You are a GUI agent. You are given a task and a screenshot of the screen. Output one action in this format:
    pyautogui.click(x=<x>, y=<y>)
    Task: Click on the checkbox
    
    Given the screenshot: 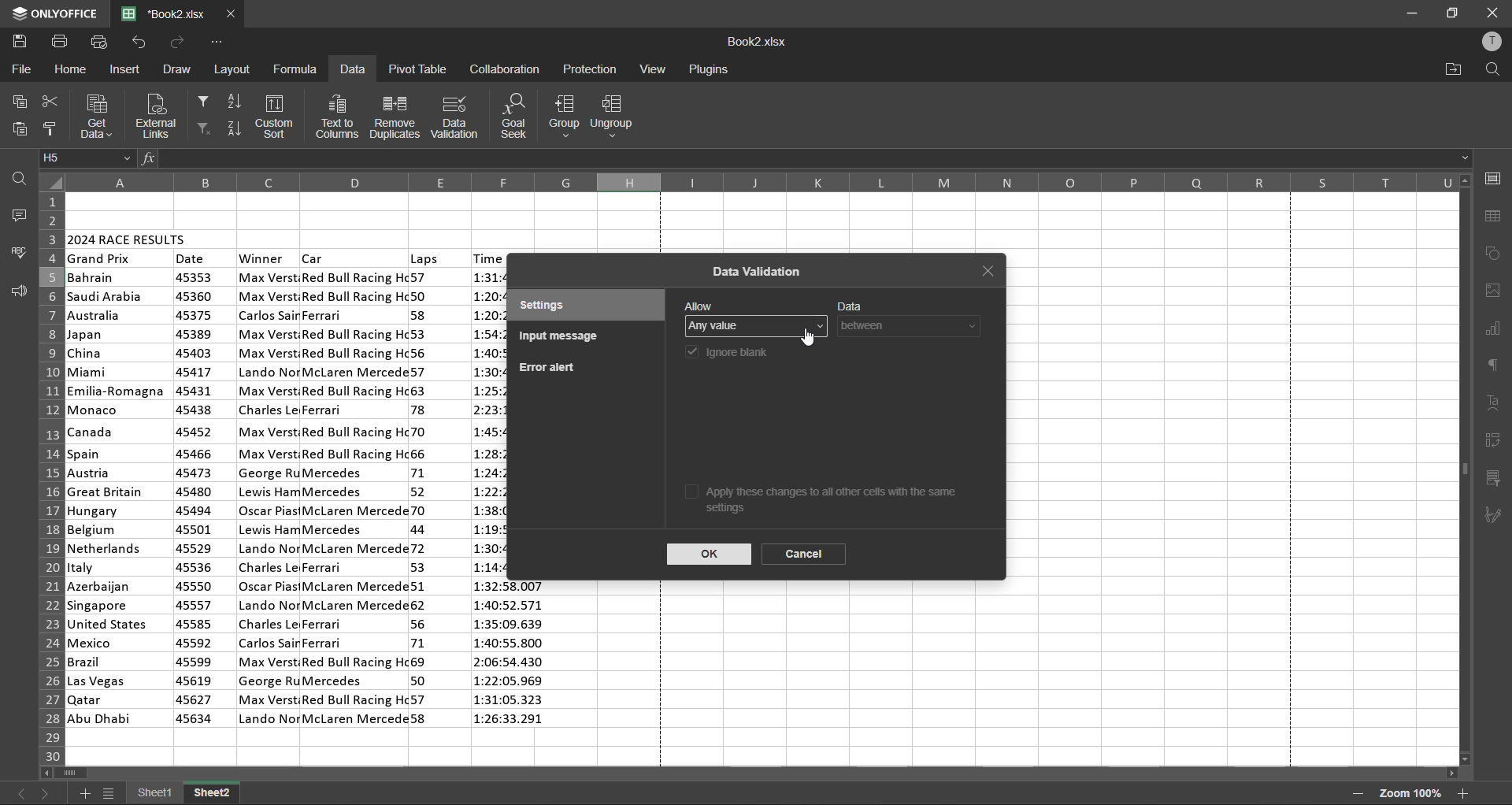 What is the action you would take?
    pyautogui.click(x=689, y=353)
    